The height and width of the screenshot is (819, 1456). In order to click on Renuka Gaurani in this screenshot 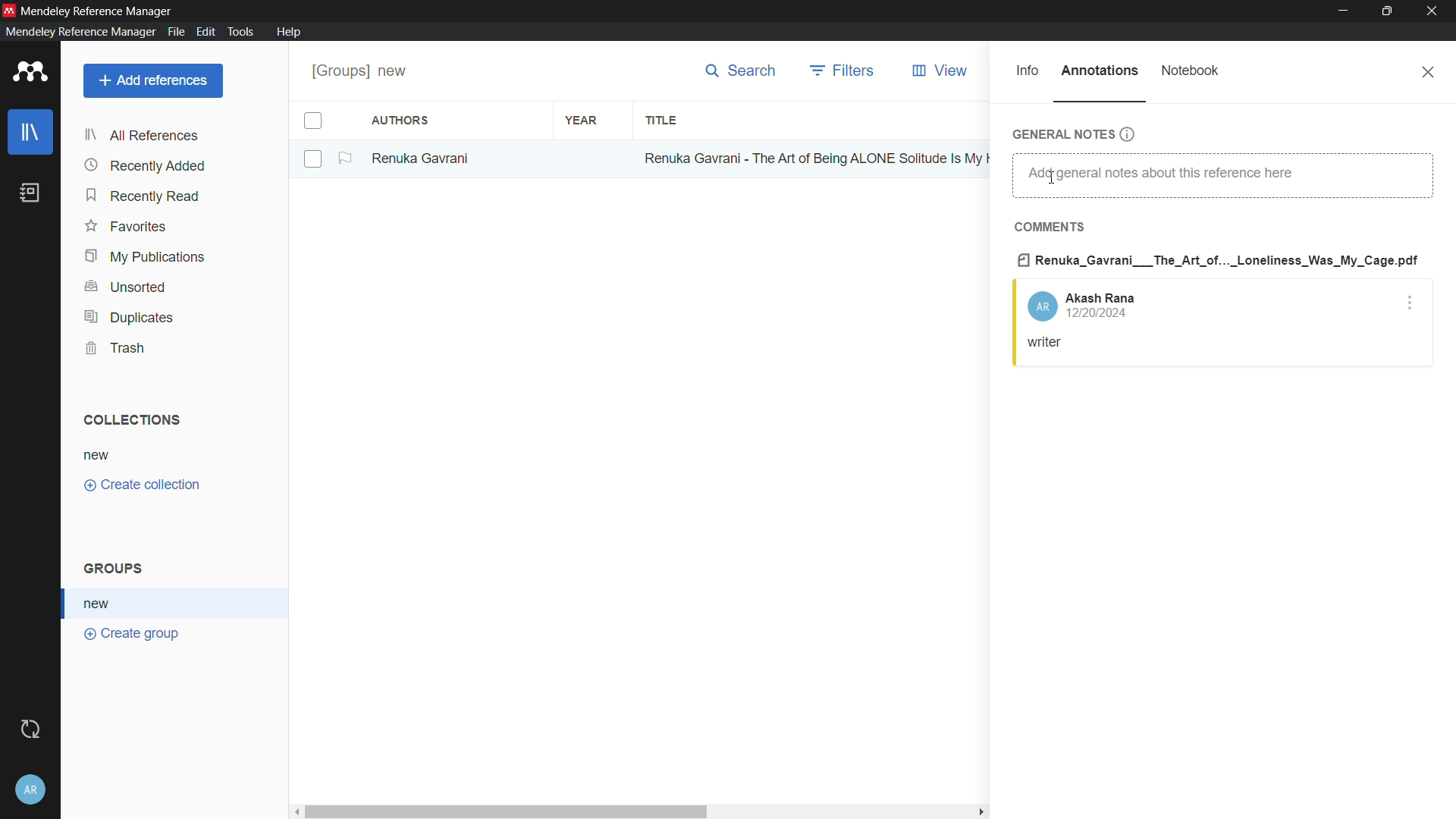, I will do `click(426, 158)`.